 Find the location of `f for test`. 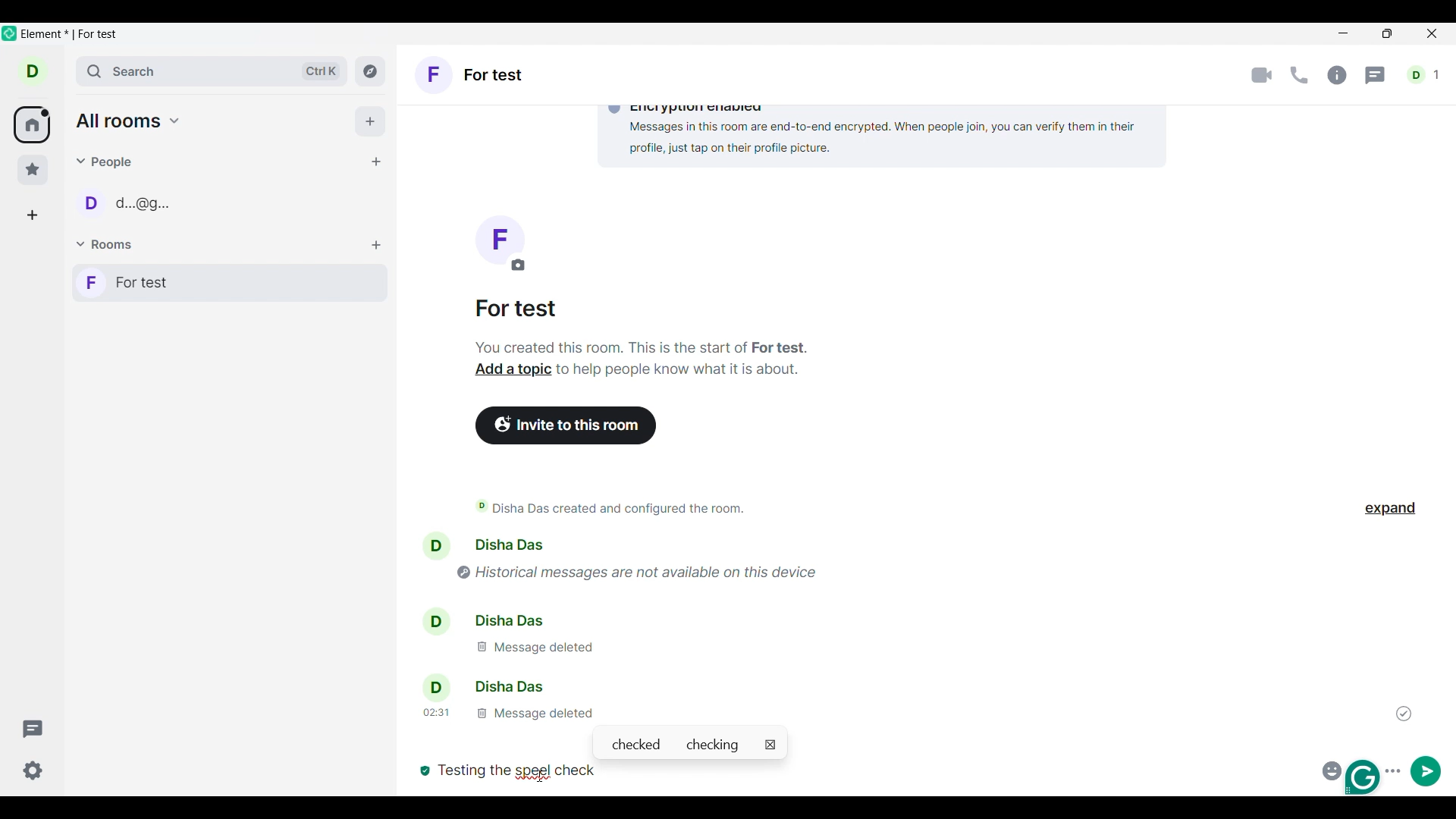

f for test is located at coordinates (230, 283).